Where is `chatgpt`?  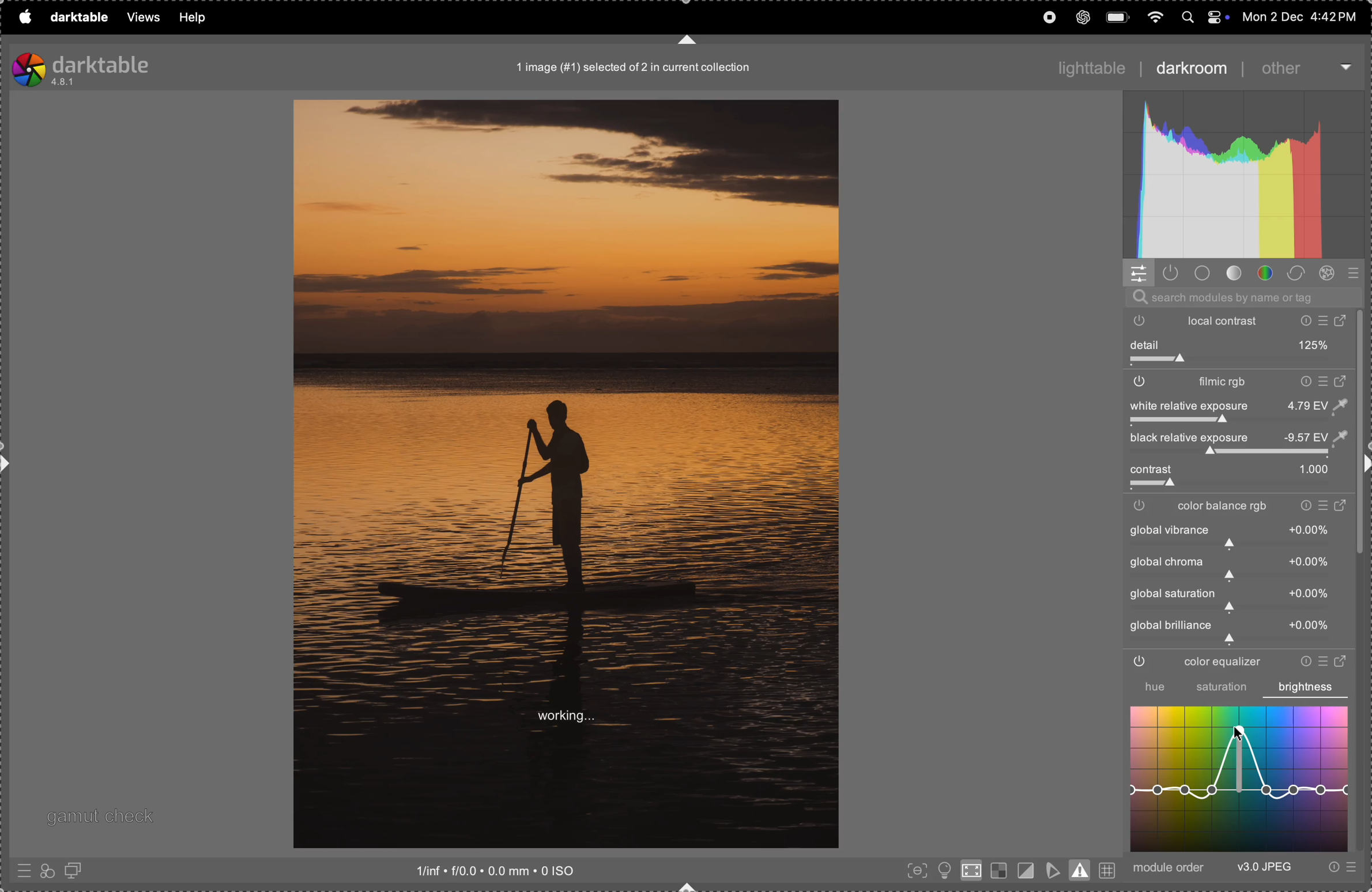 chatgpt is located at coordinates (1083, 17).